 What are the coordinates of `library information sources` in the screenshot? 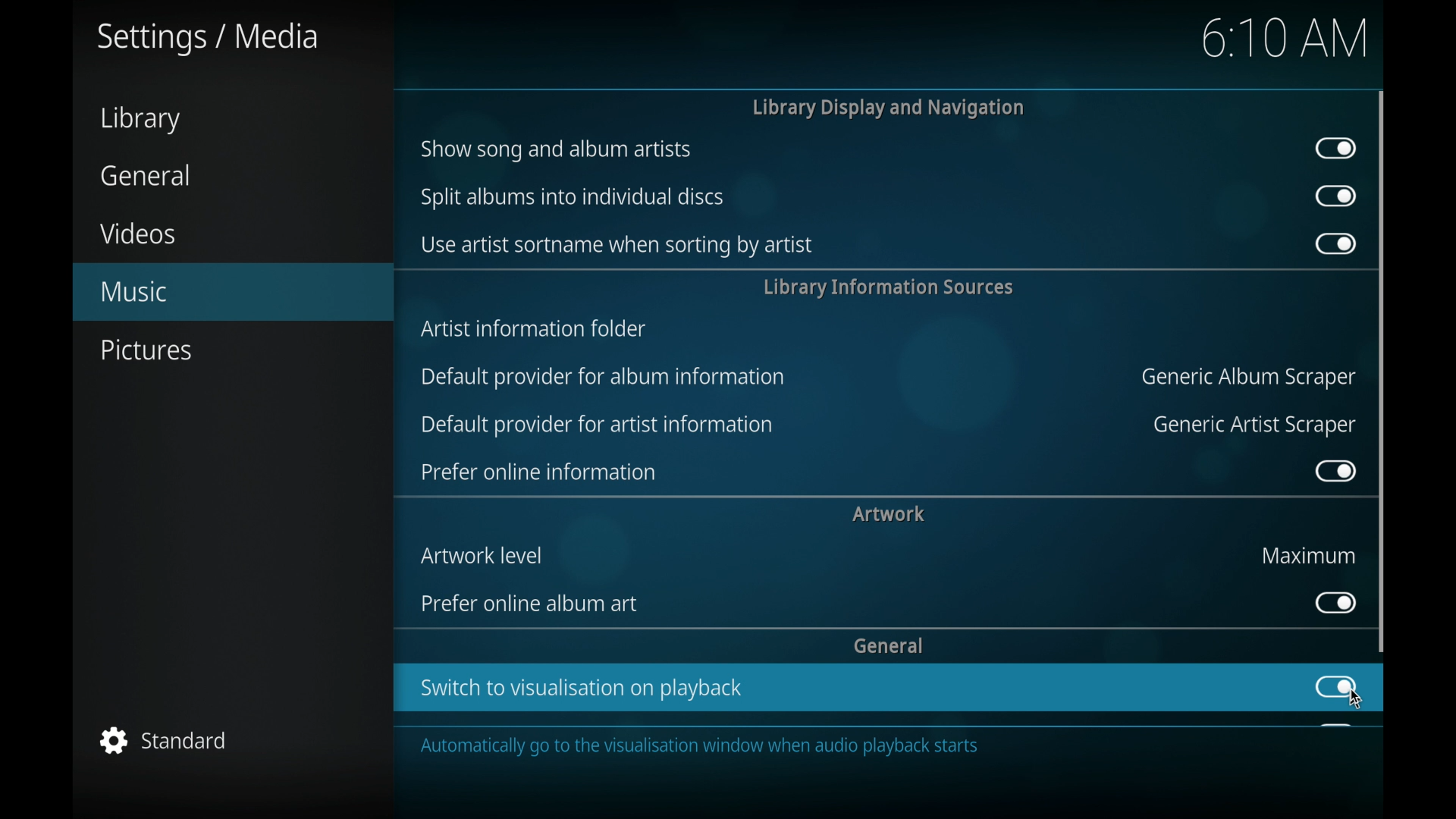 It's located at (886, 287).